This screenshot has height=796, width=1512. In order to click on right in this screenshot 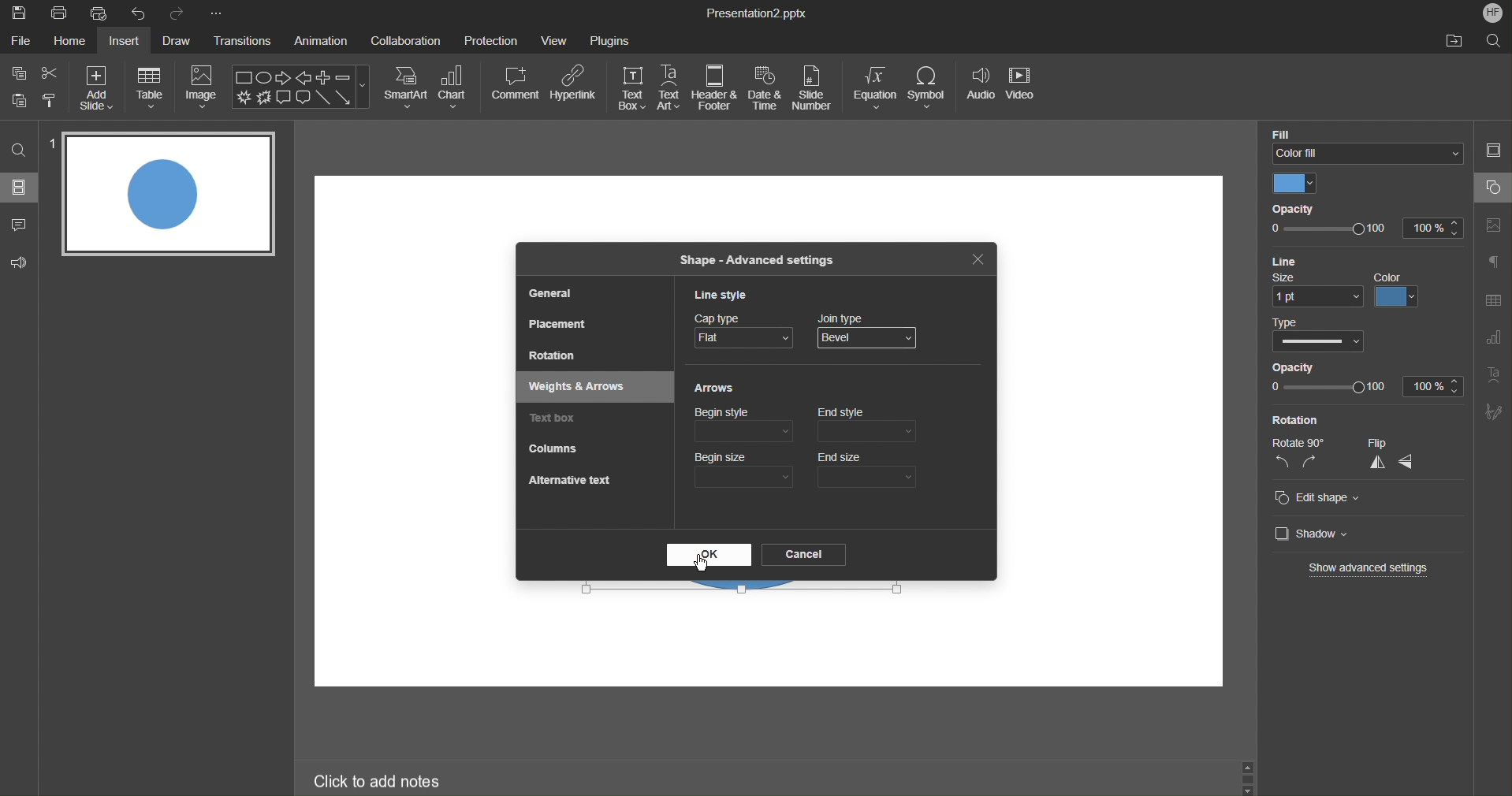, I will do `click(1310, 463)`.